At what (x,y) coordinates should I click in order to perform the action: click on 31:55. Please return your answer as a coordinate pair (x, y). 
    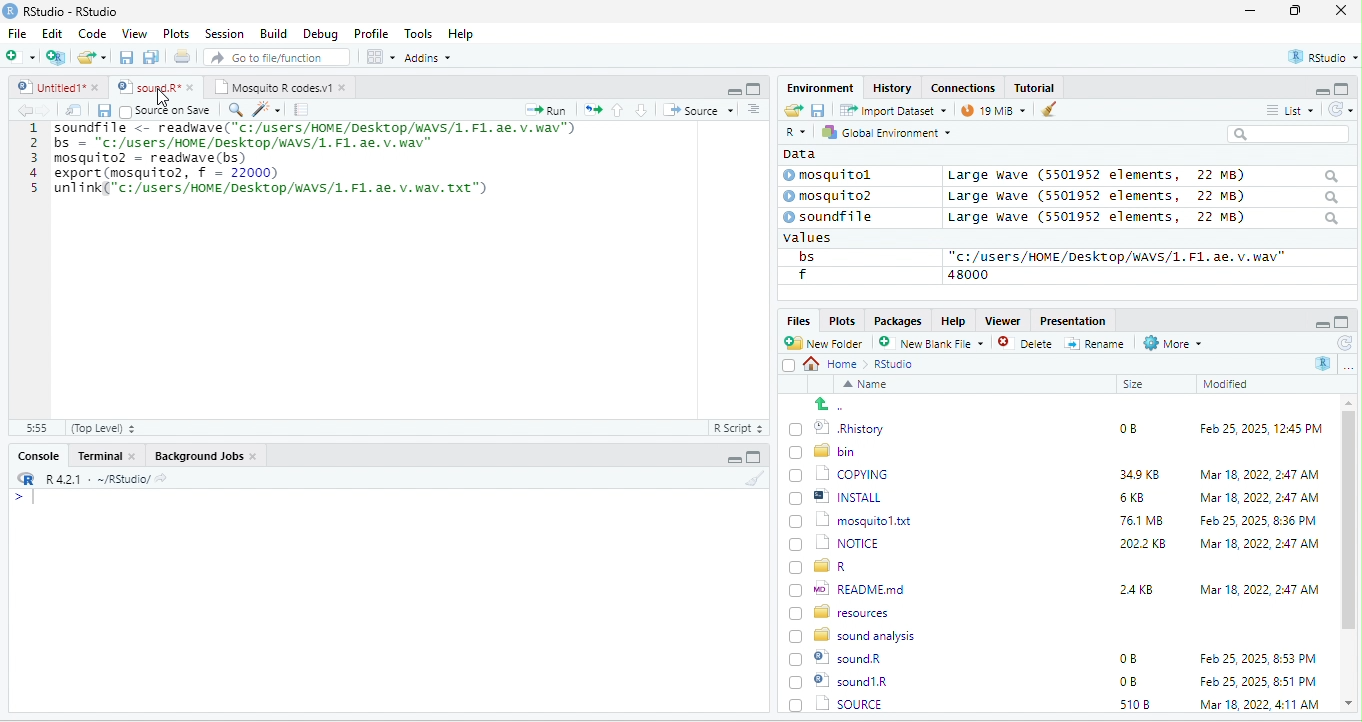
    Looking at the image, I should click on (34, 428).